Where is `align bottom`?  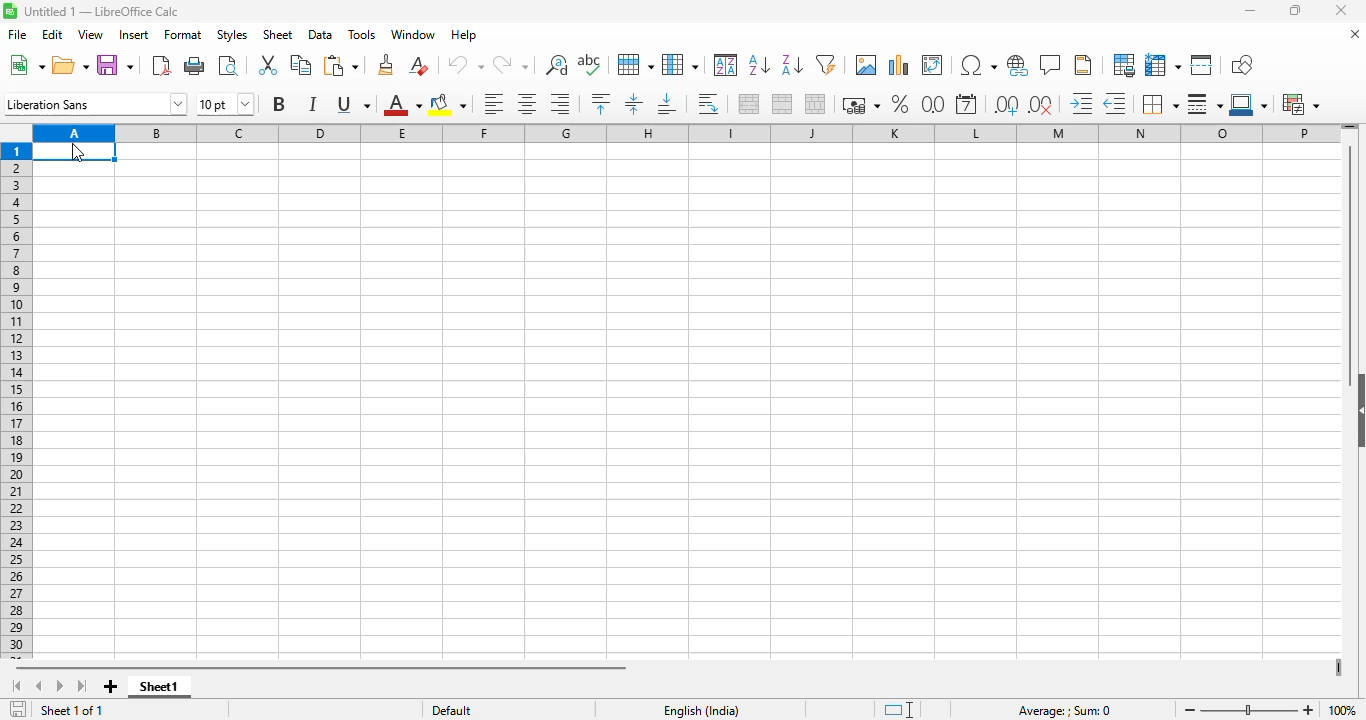 align bottom is located at coordinates (667, 104).